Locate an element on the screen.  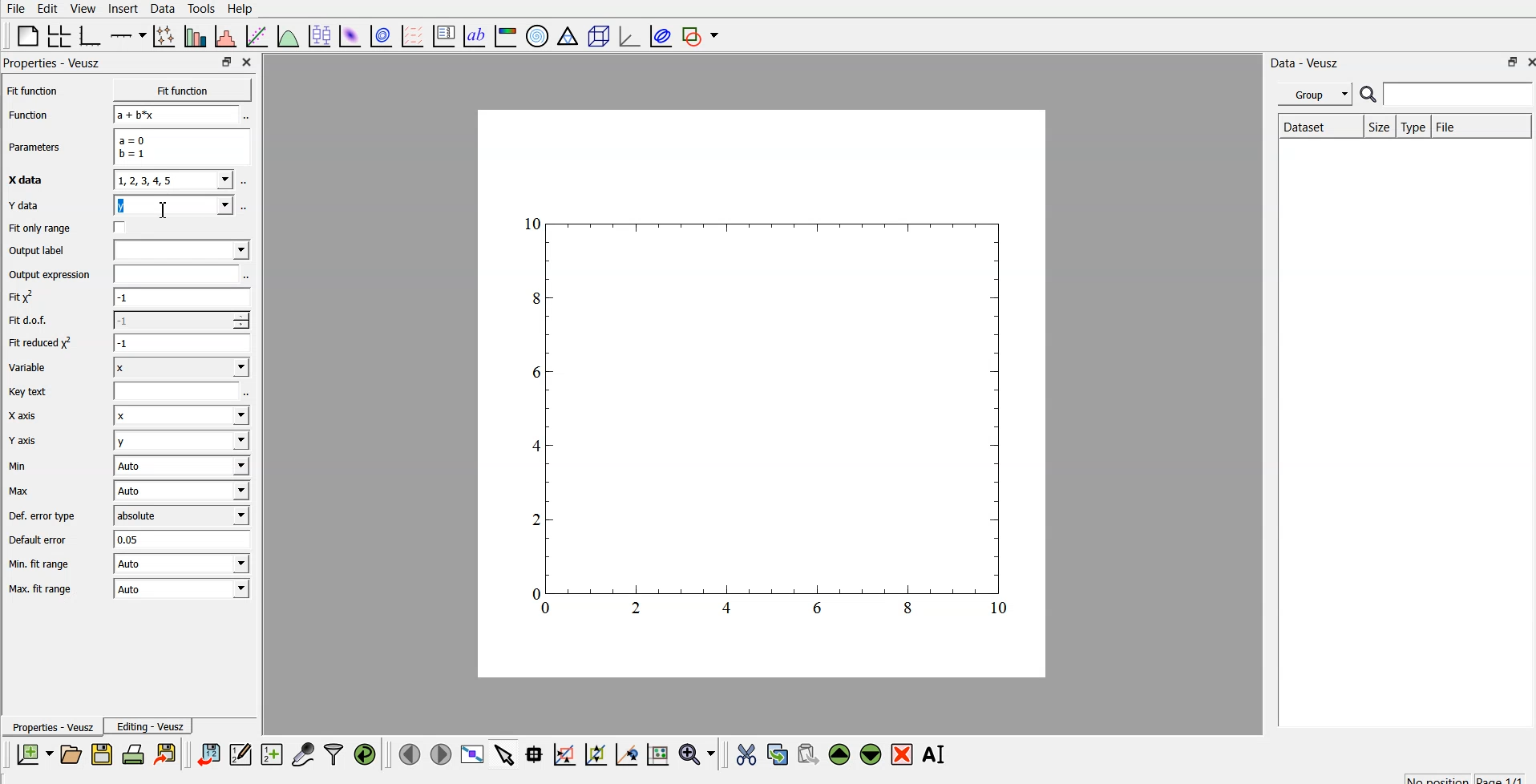
Output expression is located at coordinates (51, 274).